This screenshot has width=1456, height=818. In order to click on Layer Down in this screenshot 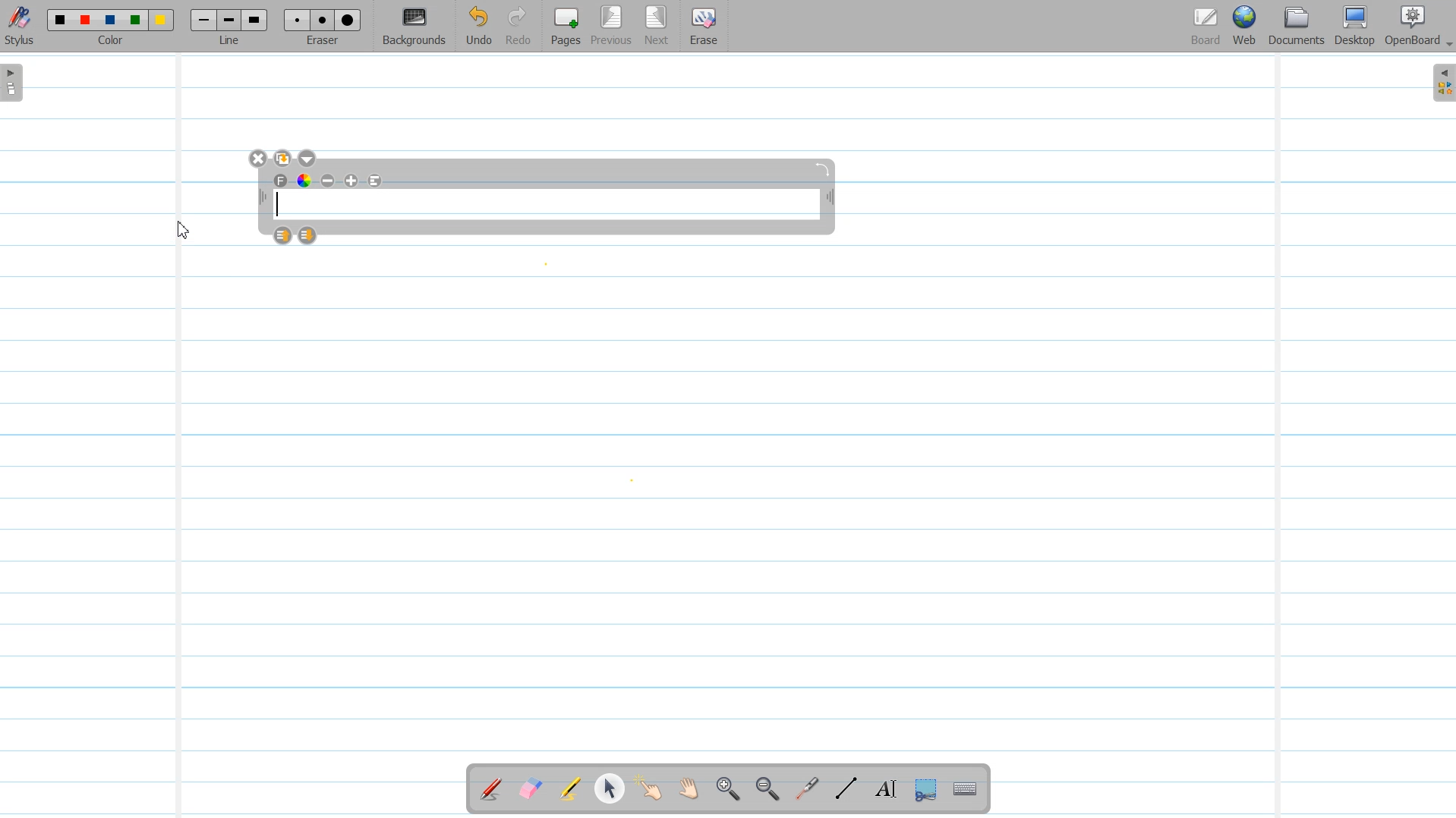, I will do `click(308, 235)`.